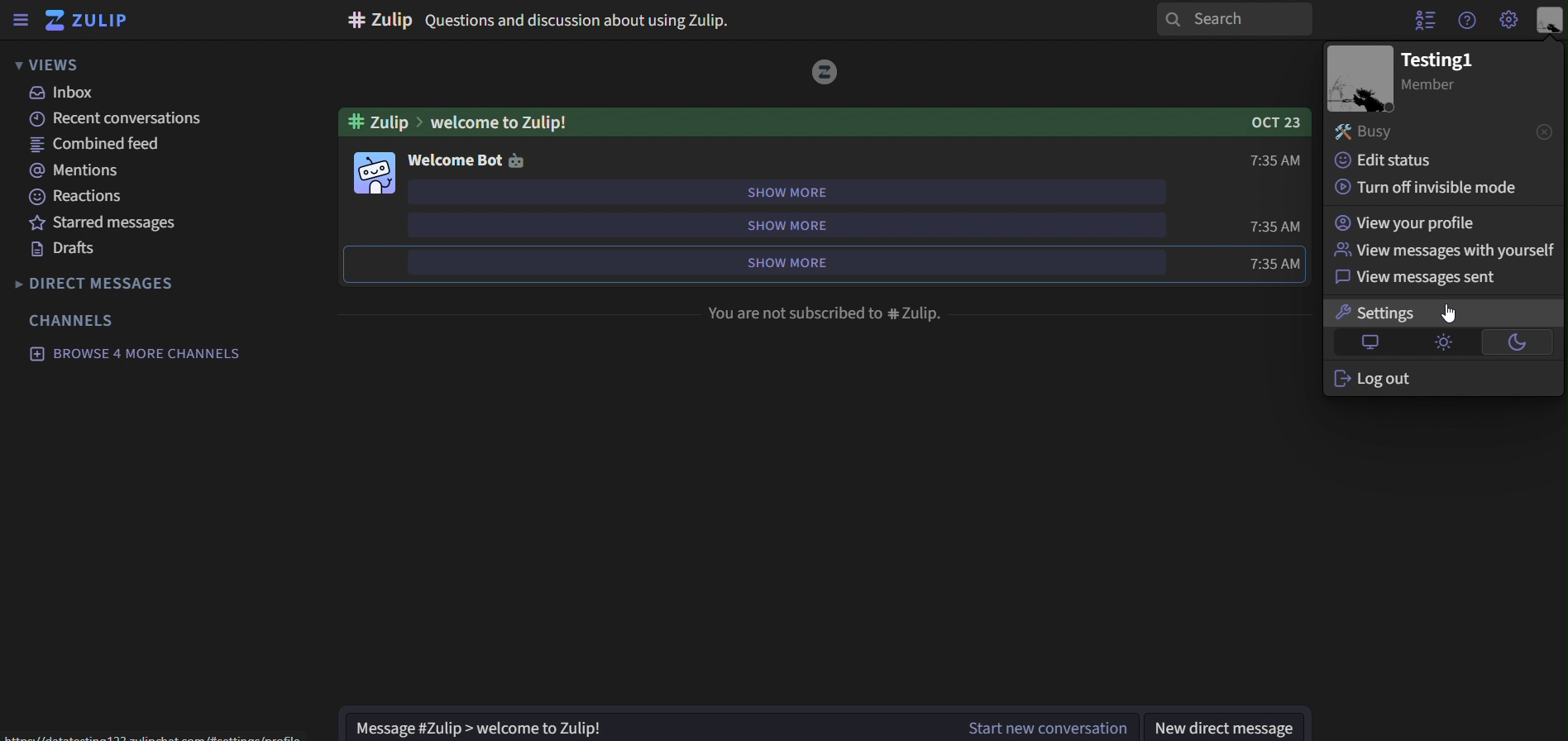 The height and width of the screenshot is (741, 1568). I want to click on image, so click(826, 73).